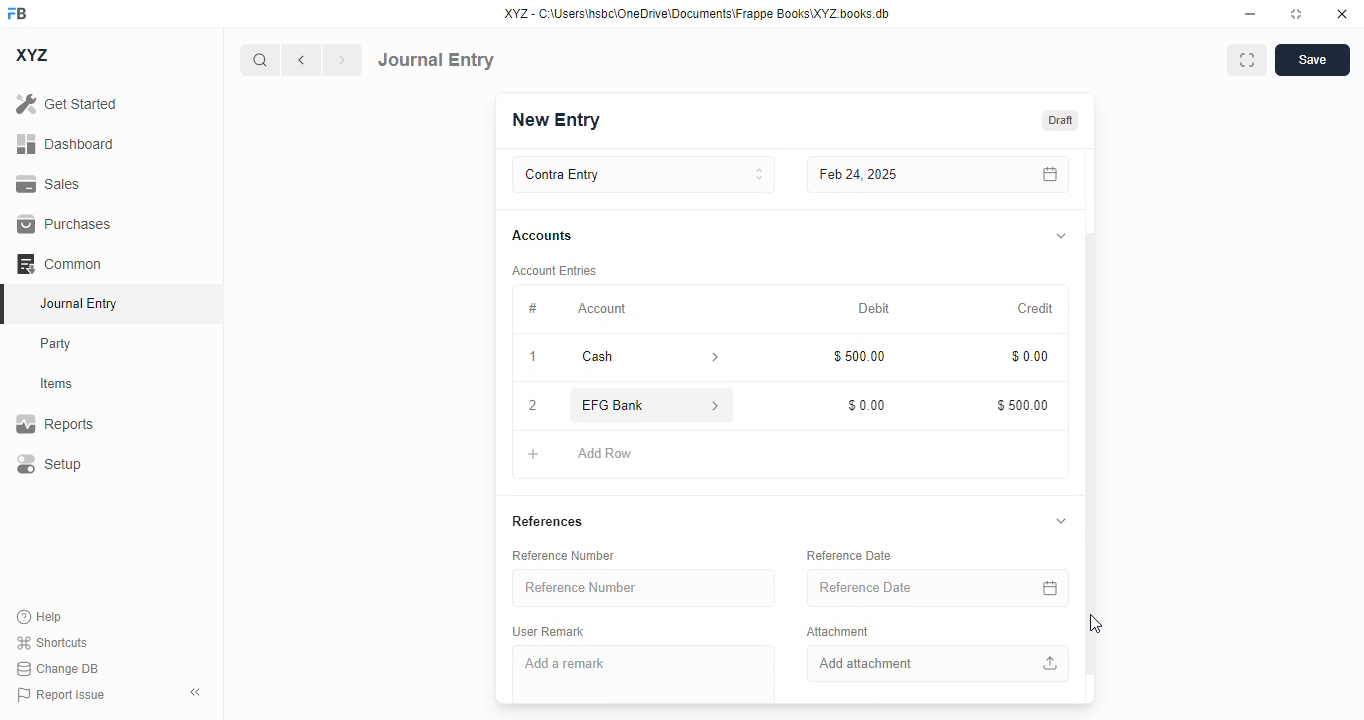 Image resolution: width=1364 pixels, height=720 pixels. Describe the element at coordinates (858, 356) in the screenshot. I see `$500.00 ` at that location.